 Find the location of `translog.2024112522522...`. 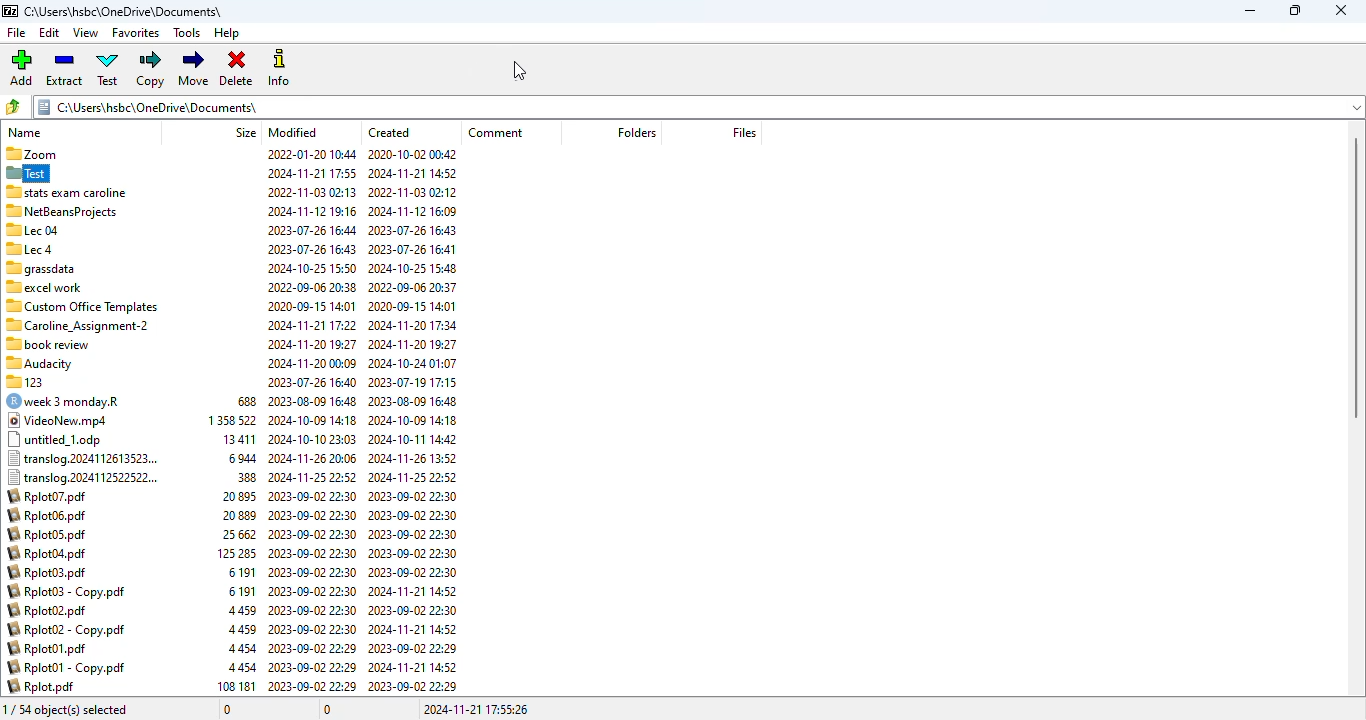

translog.2024112522522... is located at coordinates (83, 477).